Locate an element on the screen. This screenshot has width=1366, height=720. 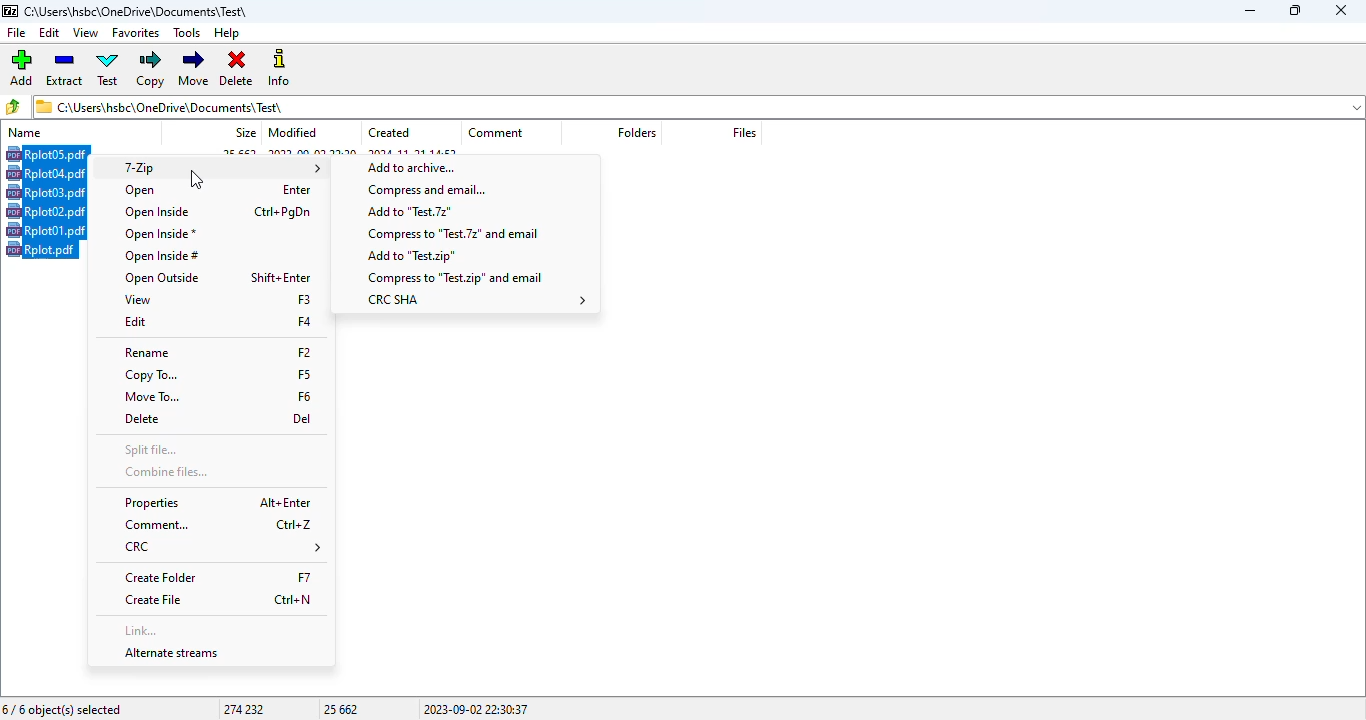
add to archive is located at coordinates (409, 167).